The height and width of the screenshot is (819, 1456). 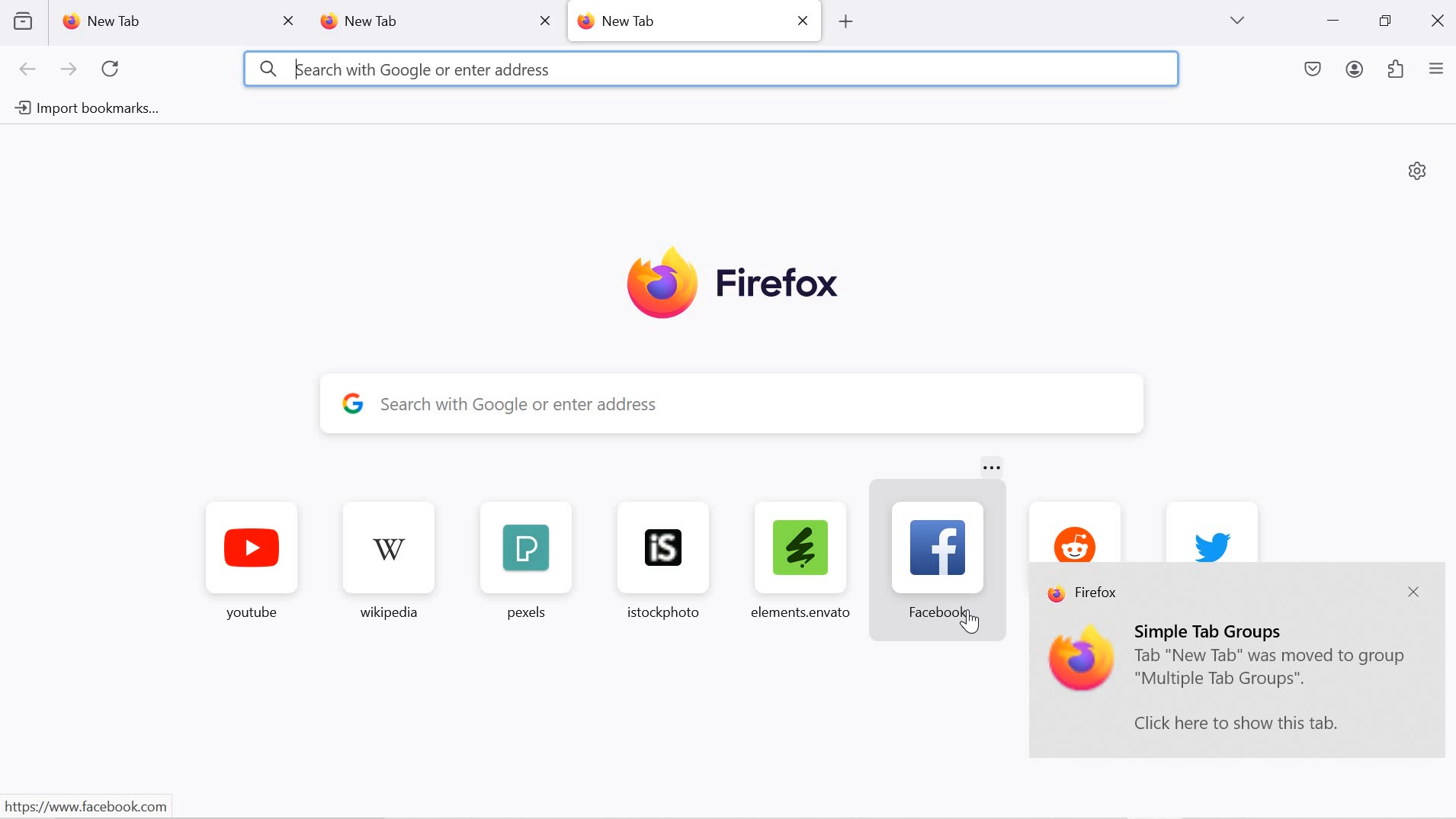 What do you see at coordinates (1236, 723) in the screenshot?
I see `click here to show this tab` at bounding box center [1236, 723].